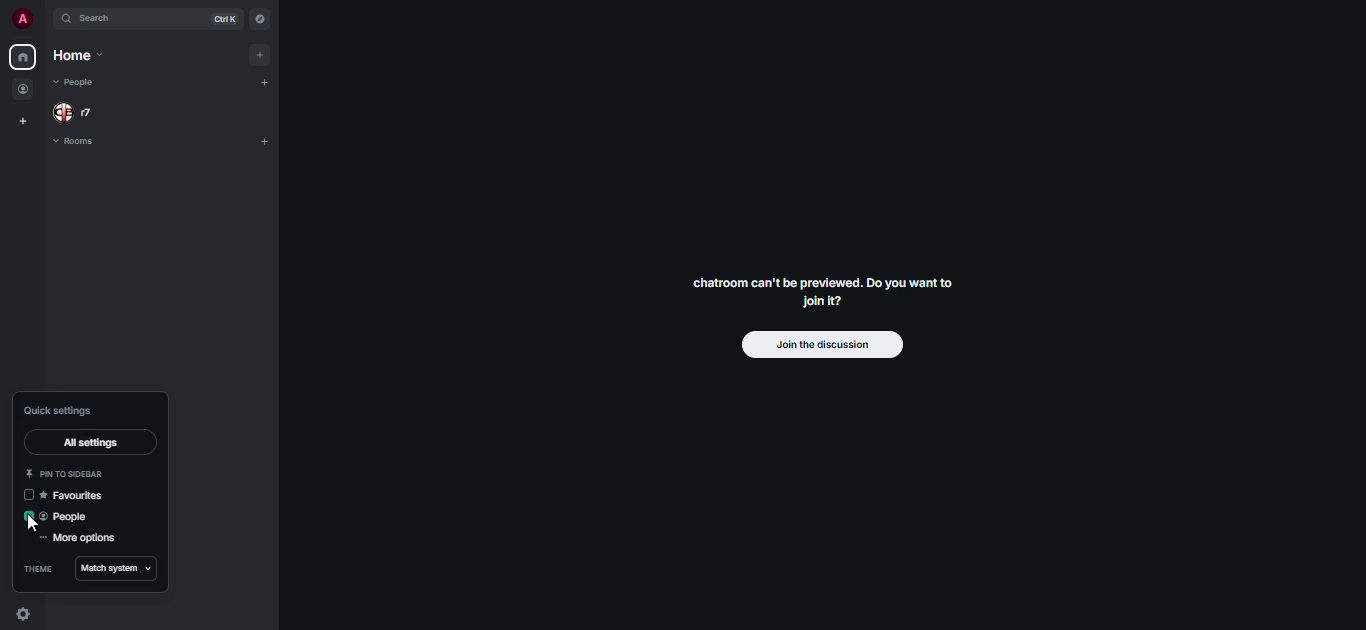 The width and height of the screenshot is (1366, 630). What do you see at coordinates (74, 496) in the screenshot?
I see `favorites` at bounding box center [74, 496].